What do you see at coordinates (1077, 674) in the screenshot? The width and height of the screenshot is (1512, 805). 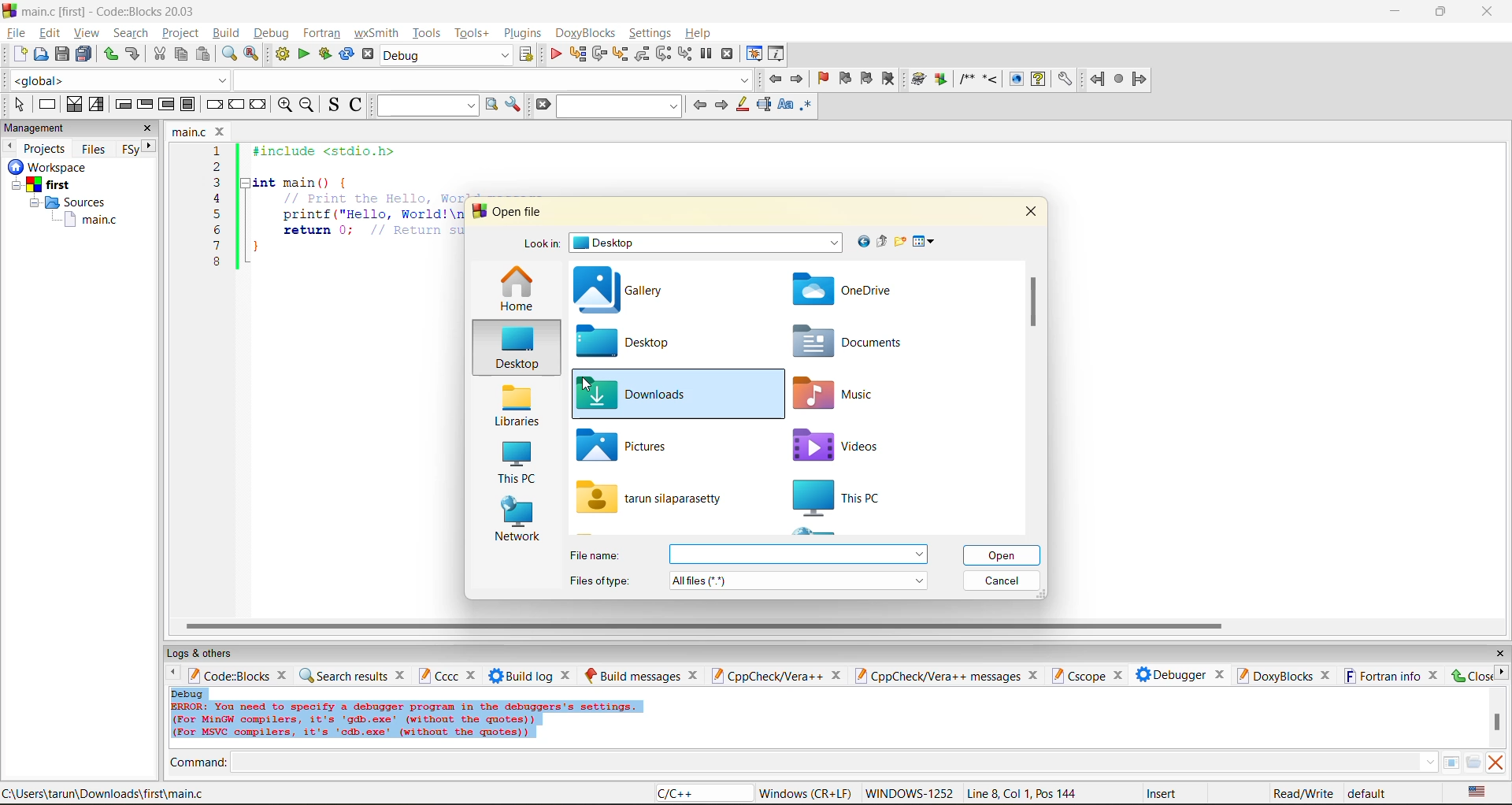 I see `cscope` at bounding box center [1077, 674].